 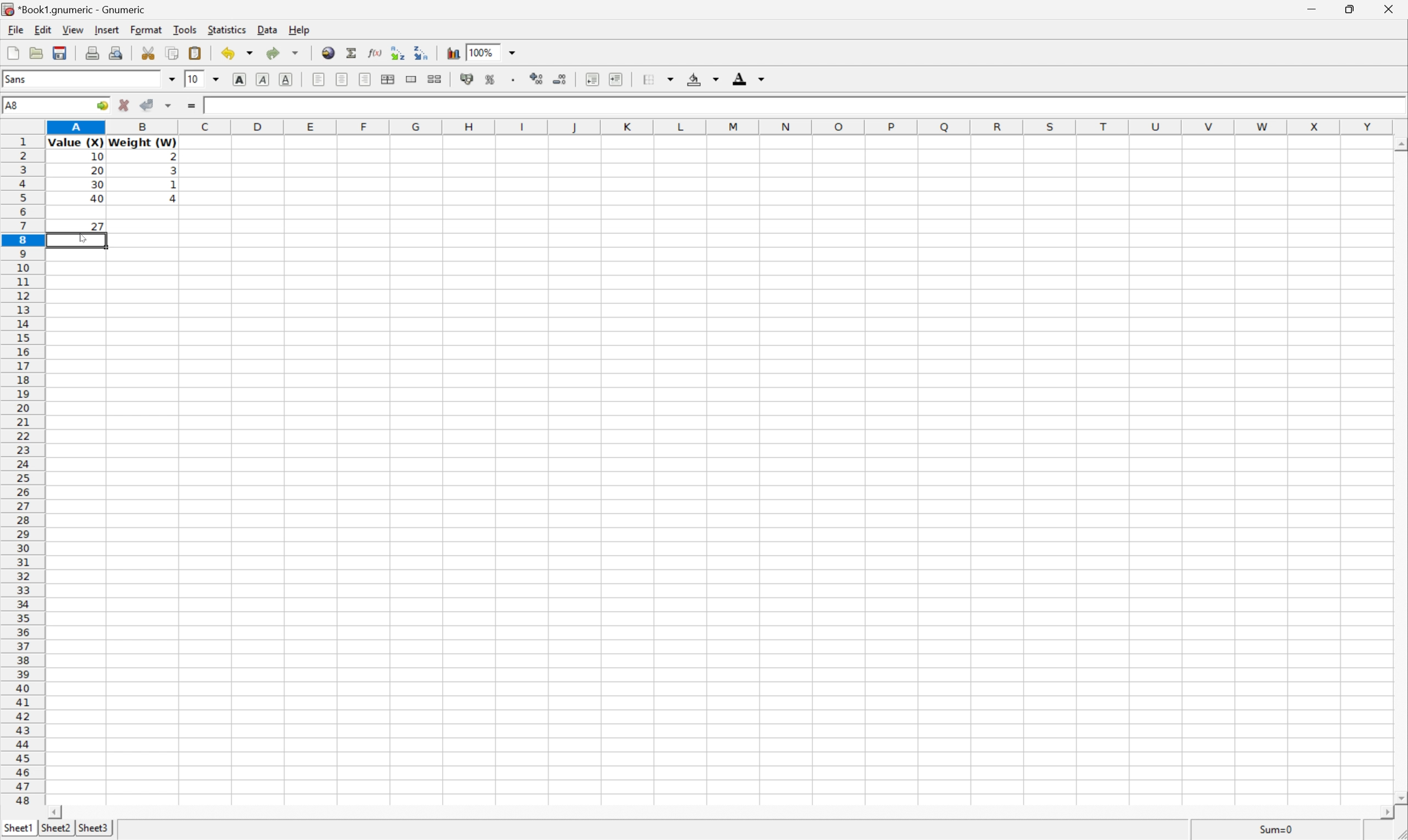 I want to click on Sheet3, so click(x=95, y=829).